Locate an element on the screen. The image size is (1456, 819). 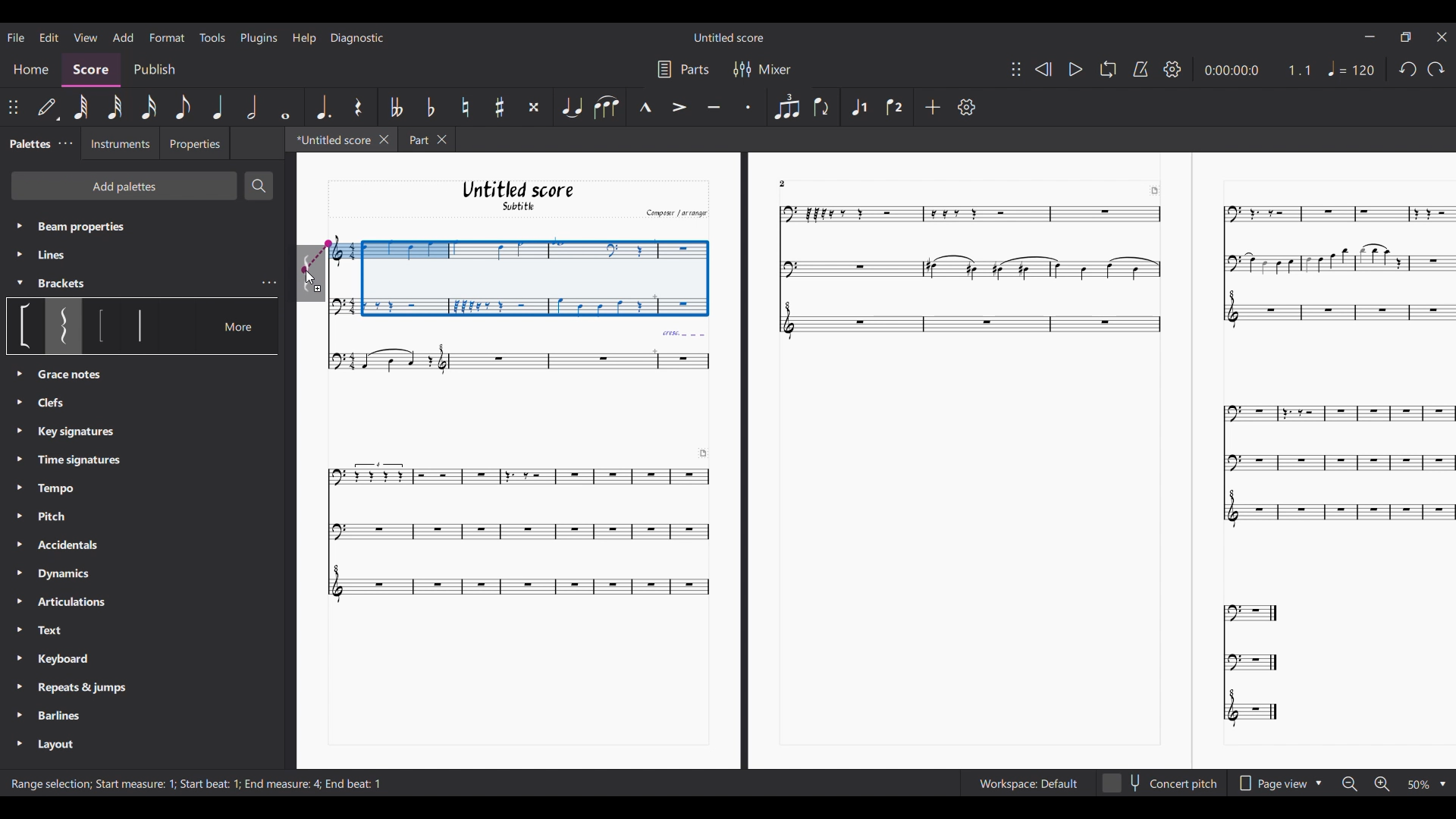
Untitled Score is located at coordinates (729, 37).